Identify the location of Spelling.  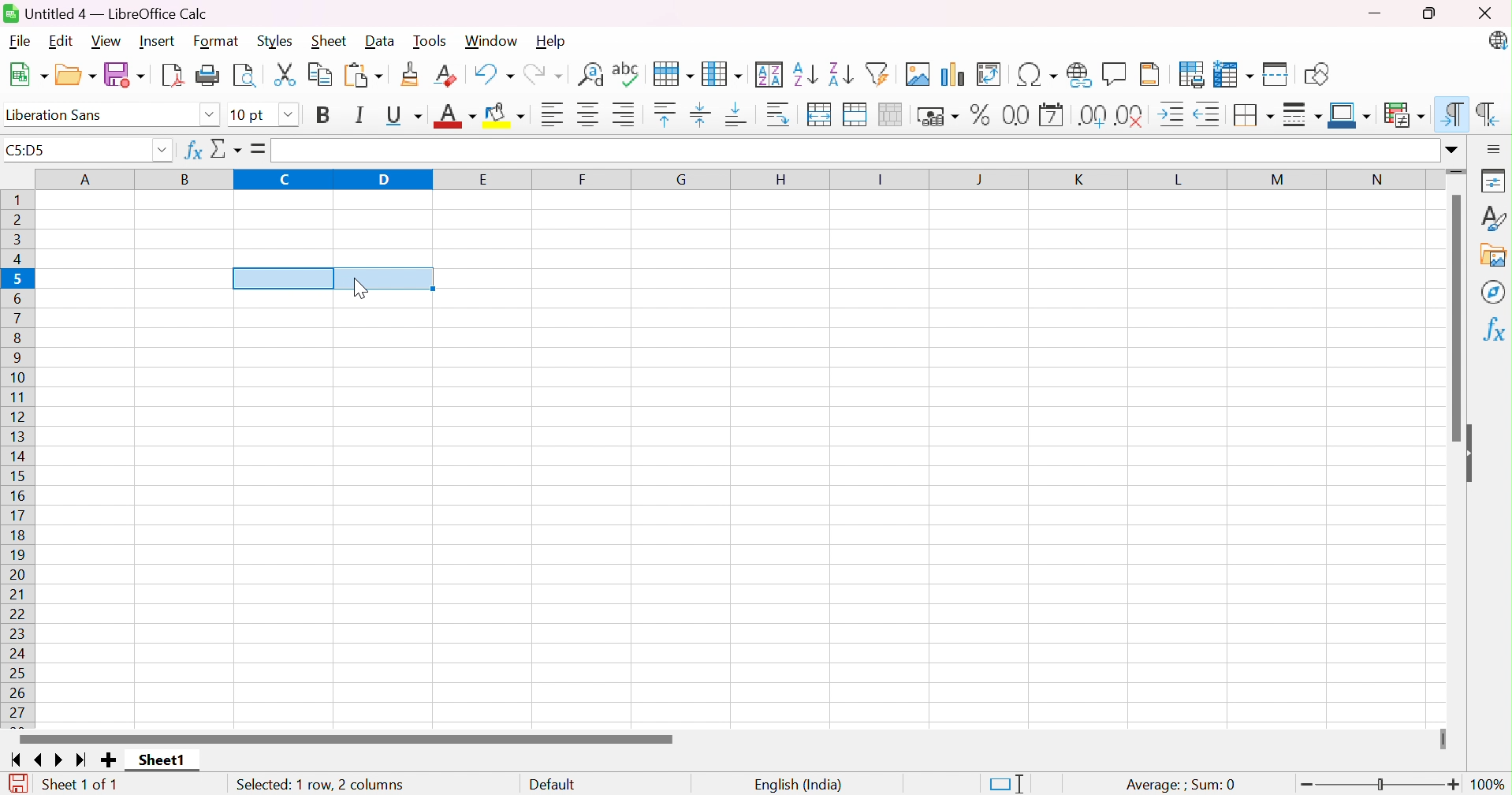
(626, 74).